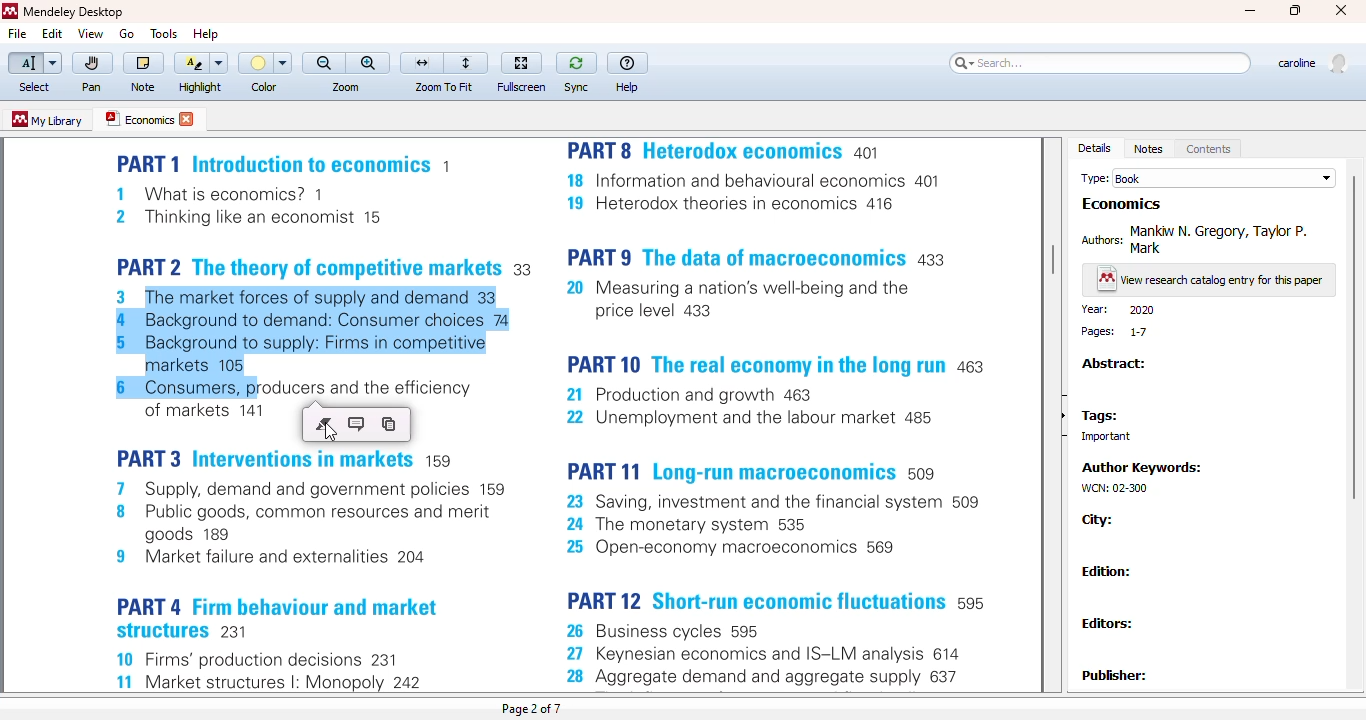 The height and width of the screenshot is (720, 1366). Describe the element at coordinates (16, 34) in the screenshot. I see `file` at that location.